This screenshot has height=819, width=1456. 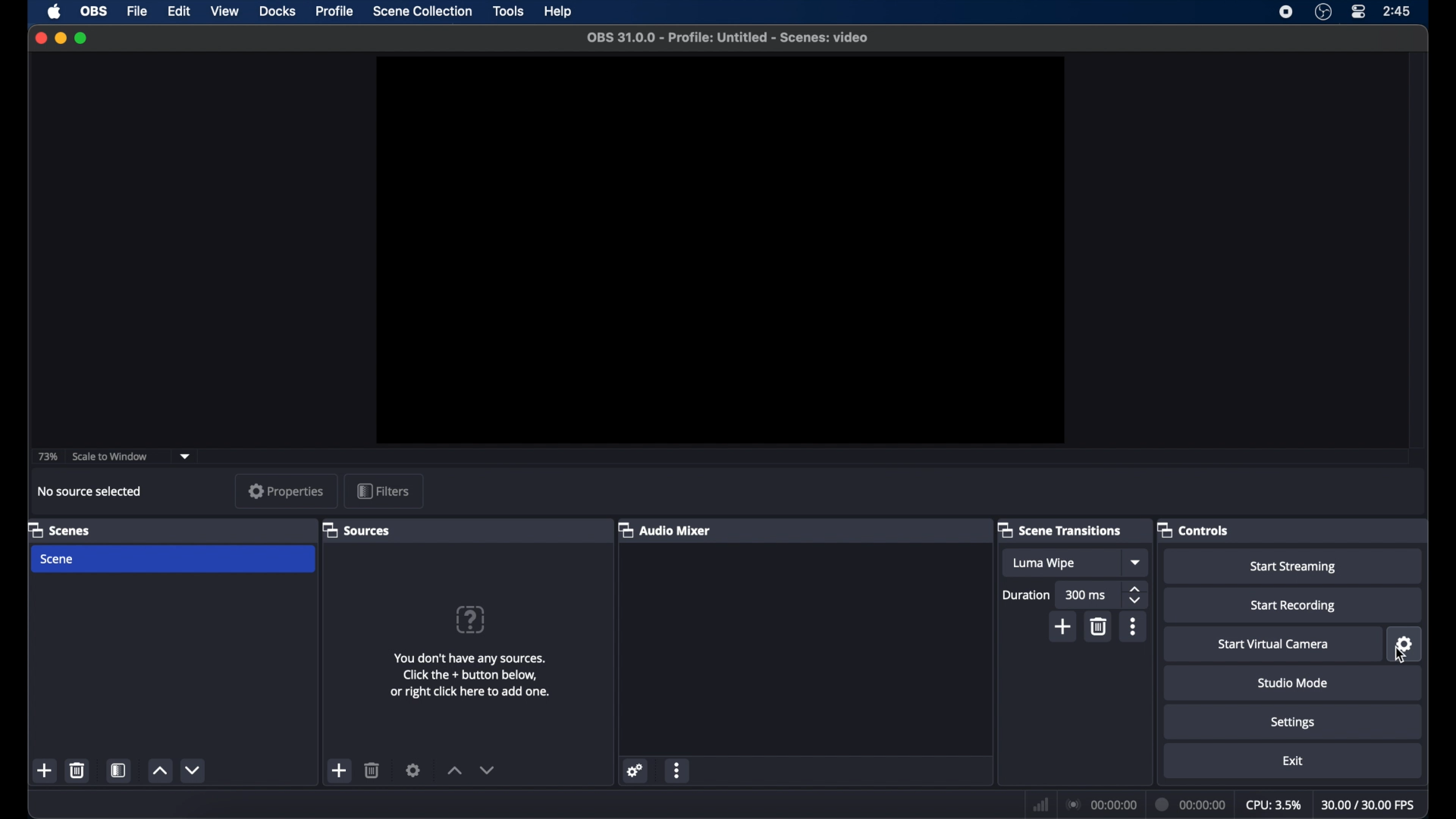 I want to click on settings, so click(x=635, y=771).